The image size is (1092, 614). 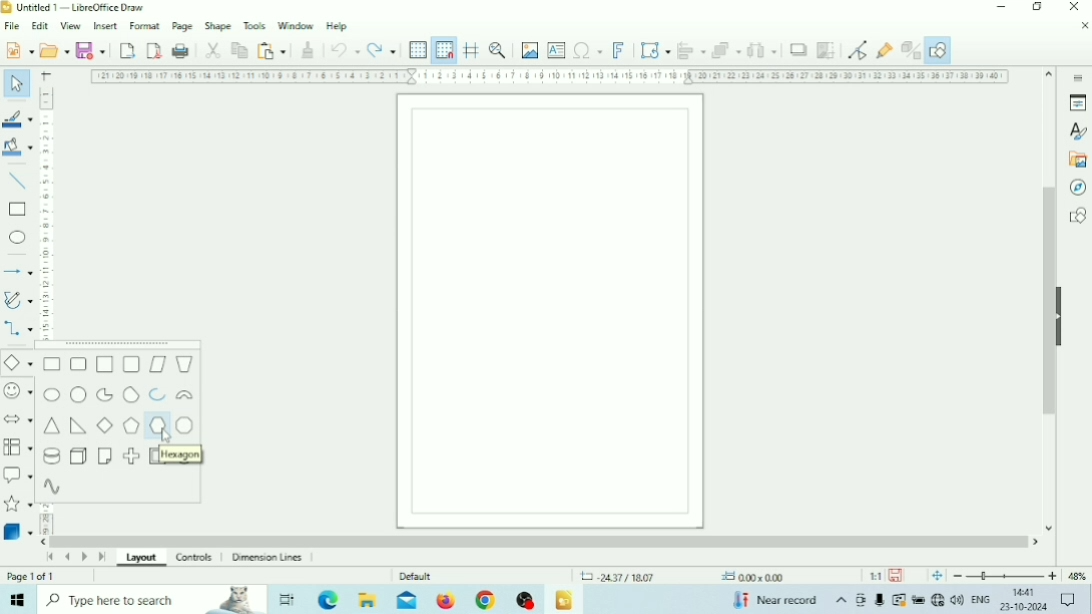 What do you see at coordinates (152, 455) in the screenshot?
I see `Frame` at bounding box center [152, 455].